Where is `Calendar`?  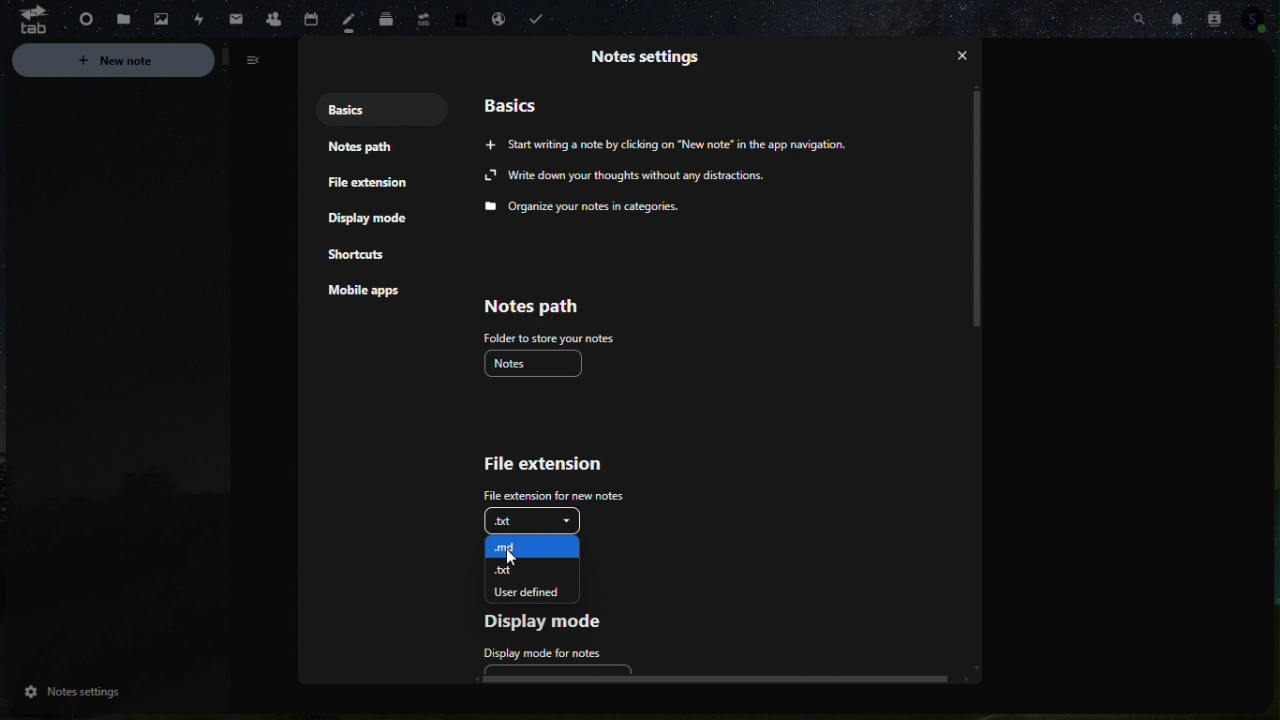
Calendar is located at coordinates (319, 15).